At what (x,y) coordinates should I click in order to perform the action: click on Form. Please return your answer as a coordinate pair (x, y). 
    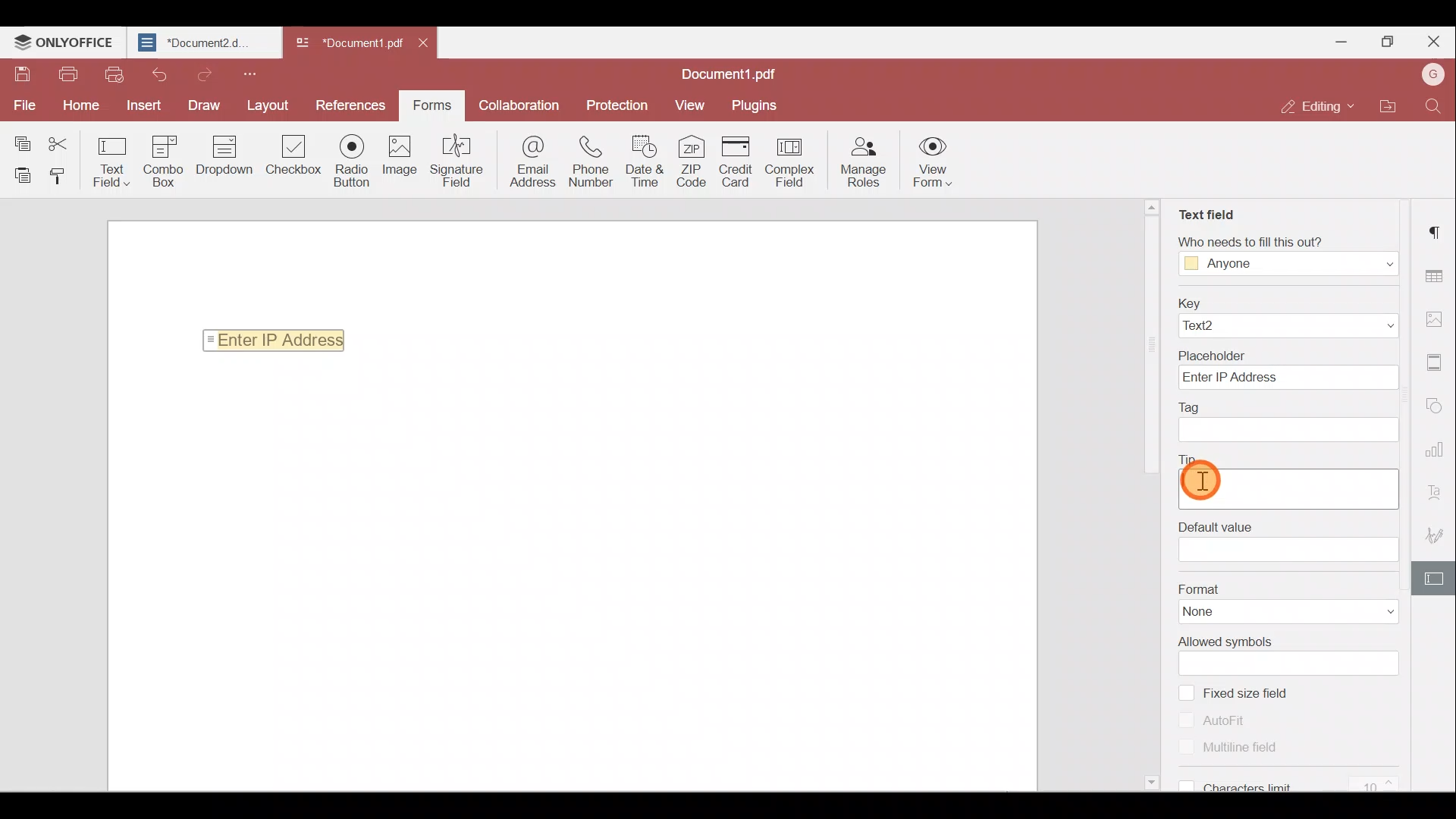
    Looking at the image, I should click on (431, 103).